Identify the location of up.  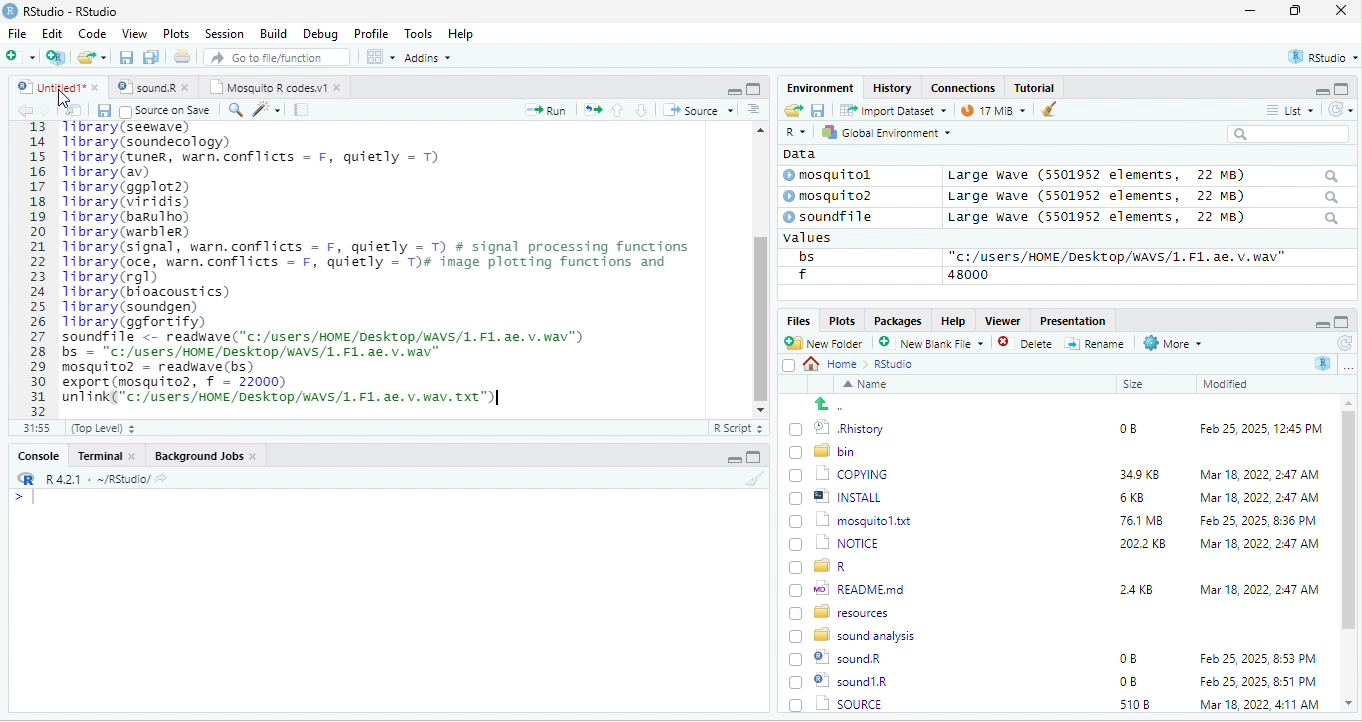
(619, 109).